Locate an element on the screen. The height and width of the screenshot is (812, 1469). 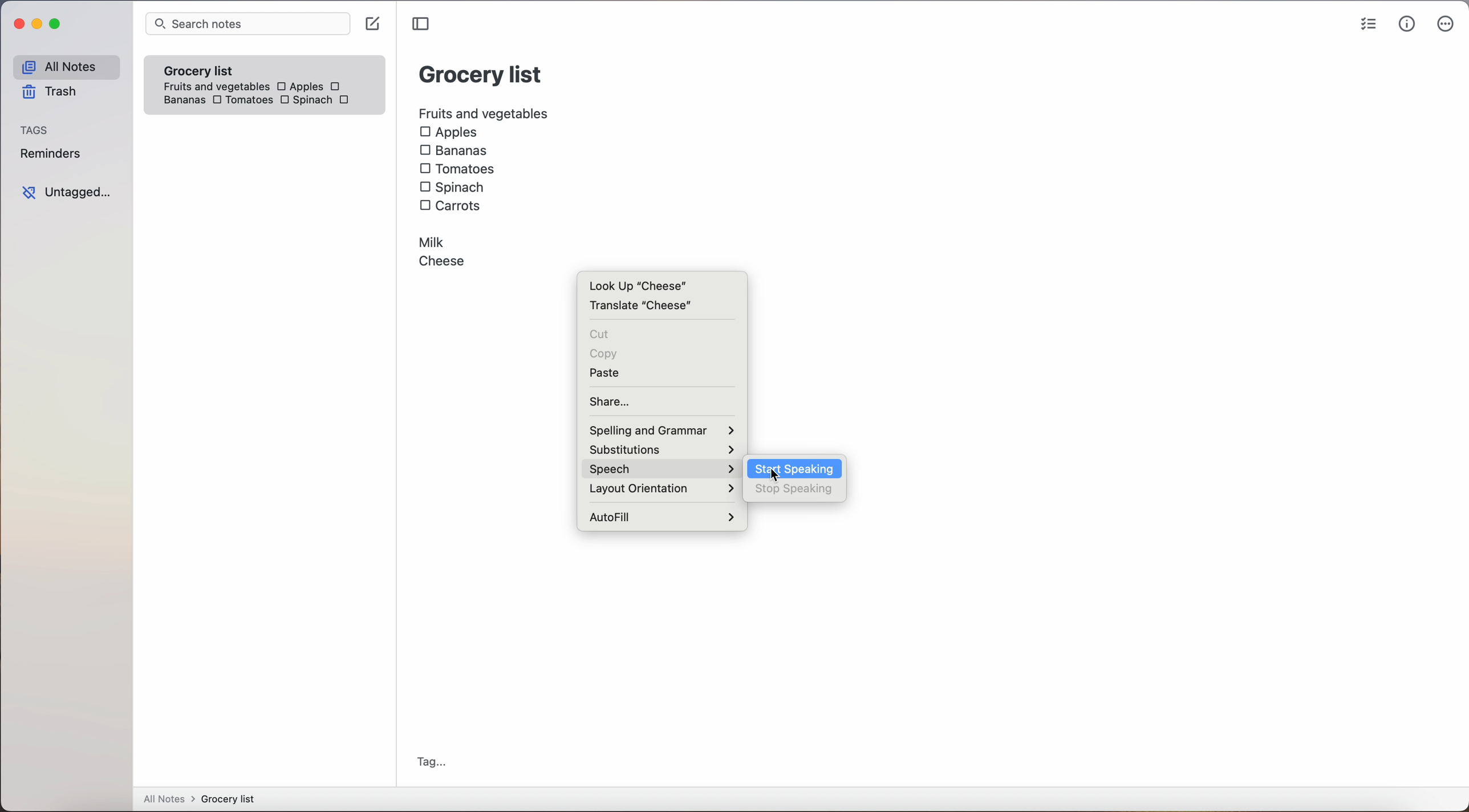
reminders is located at coordinates (53, 155).